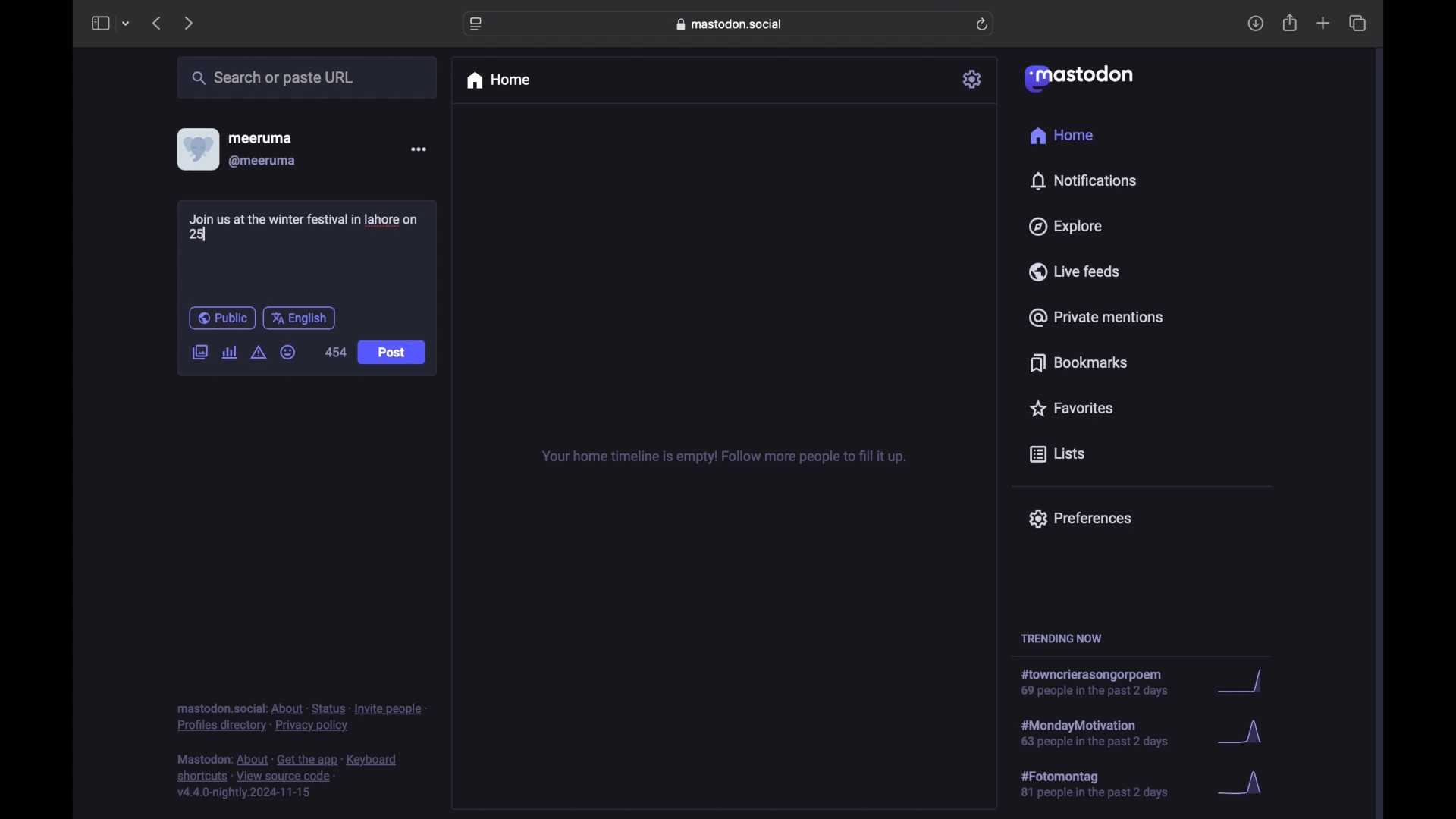  What do you see at coordinates (1061, 639) in the screenshot?
I see `trending now` at bounding box center [1061, 639].